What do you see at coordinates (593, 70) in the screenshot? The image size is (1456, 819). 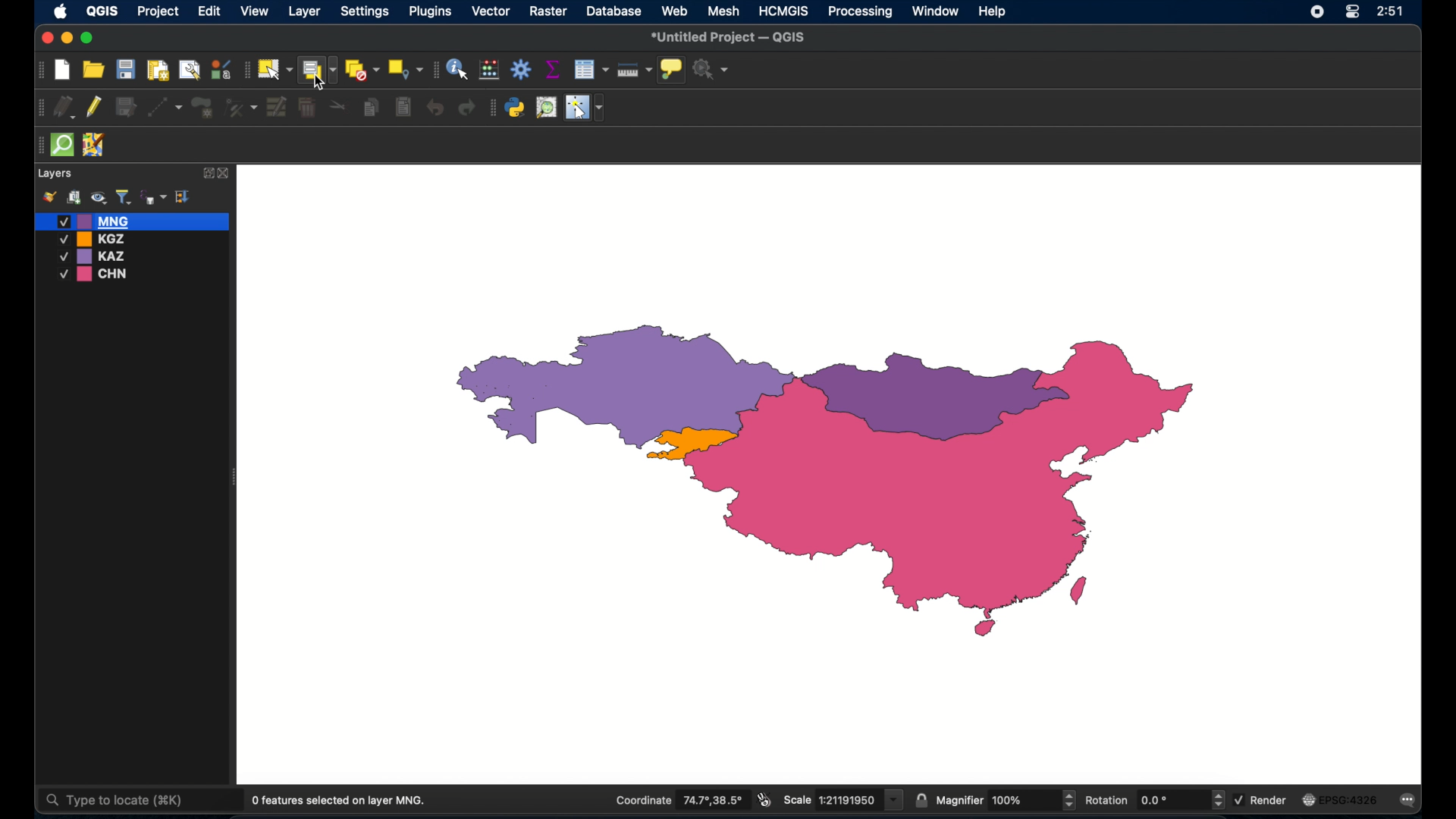 I see `open attribute table` at bounding box center [593, 70].